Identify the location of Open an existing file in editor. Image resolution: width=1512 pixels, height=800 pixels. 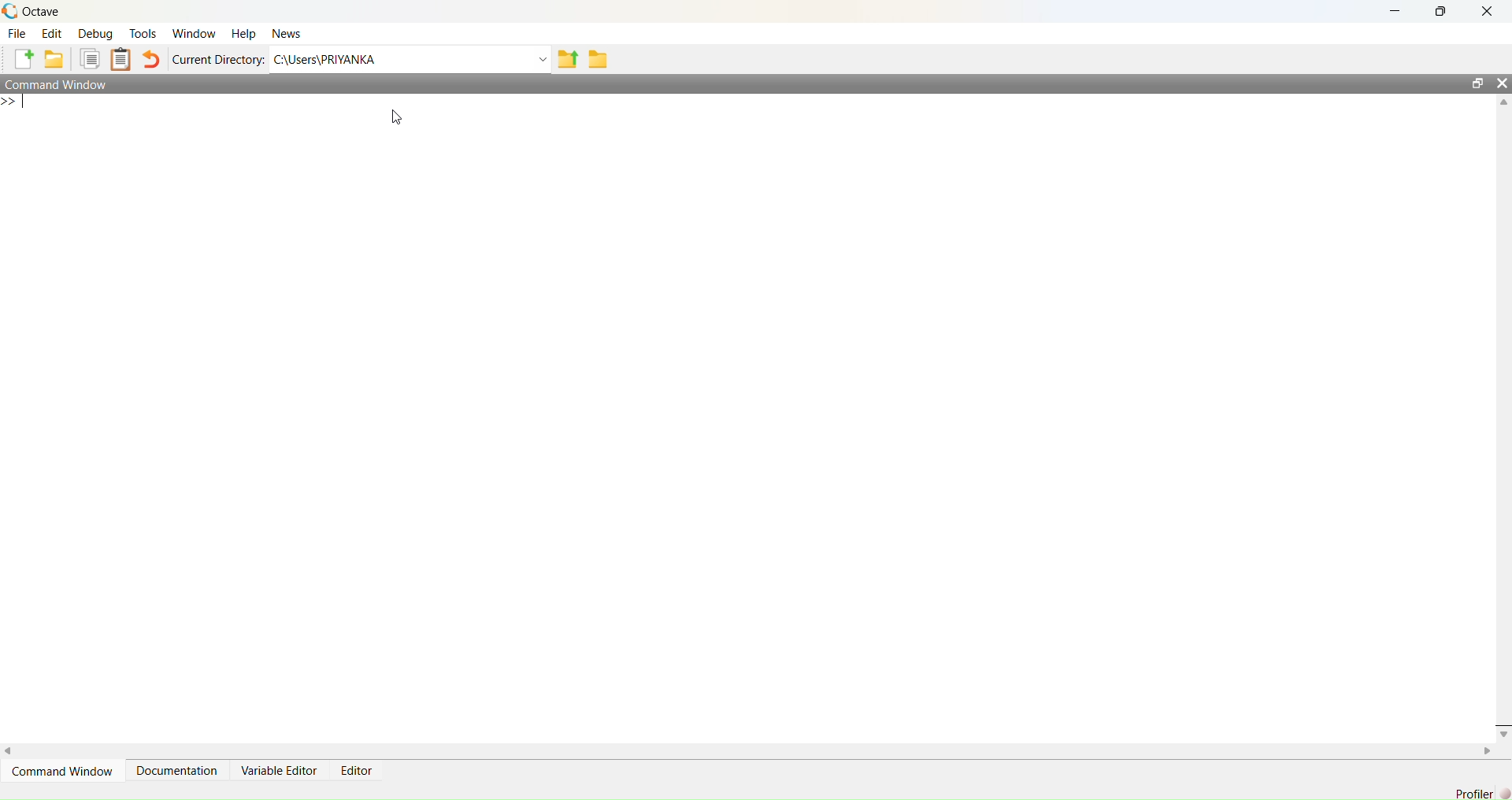
(54, 59).